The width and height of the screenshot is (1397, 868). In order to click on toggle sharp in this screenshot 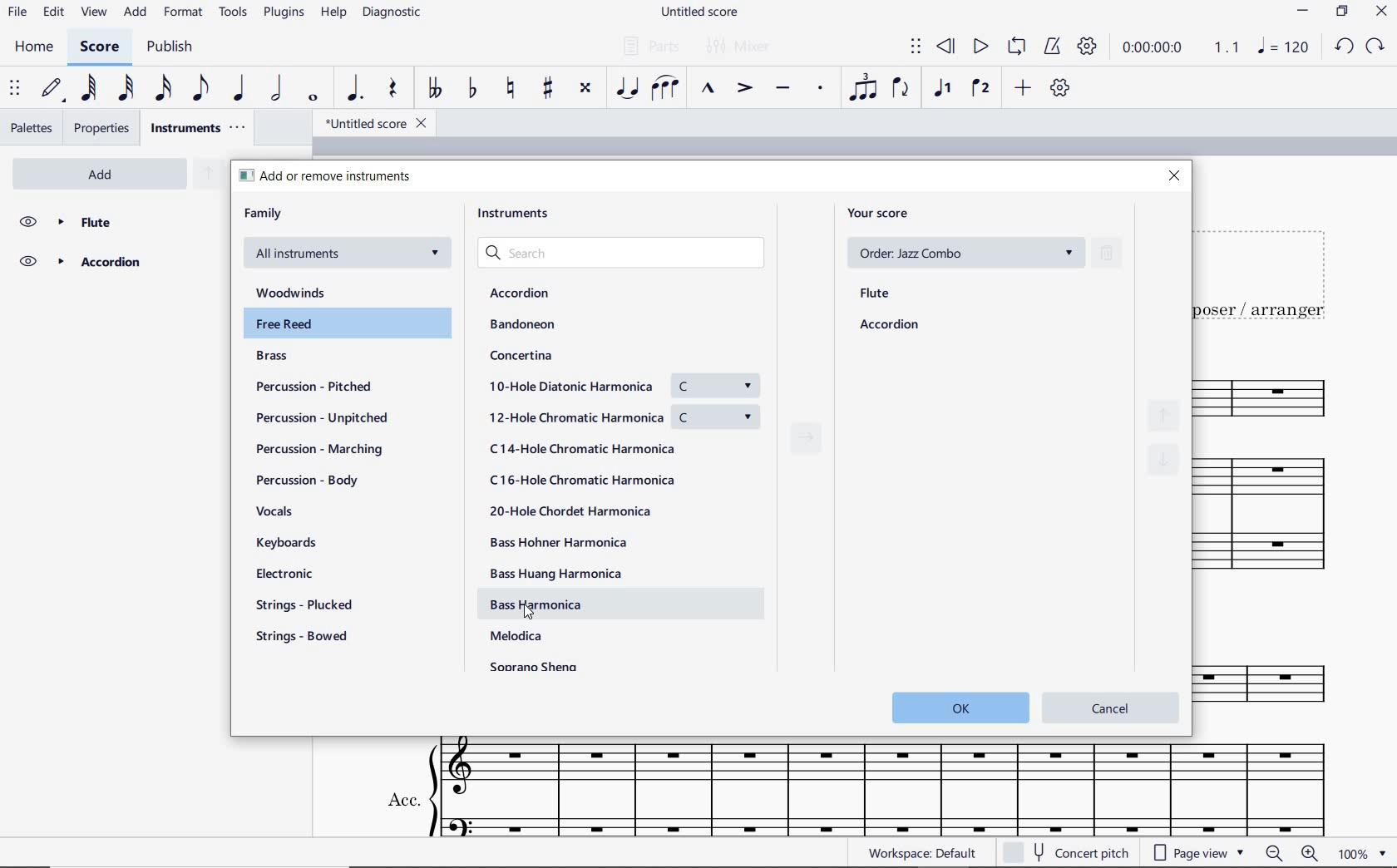, I will do `click(547, 89)`.